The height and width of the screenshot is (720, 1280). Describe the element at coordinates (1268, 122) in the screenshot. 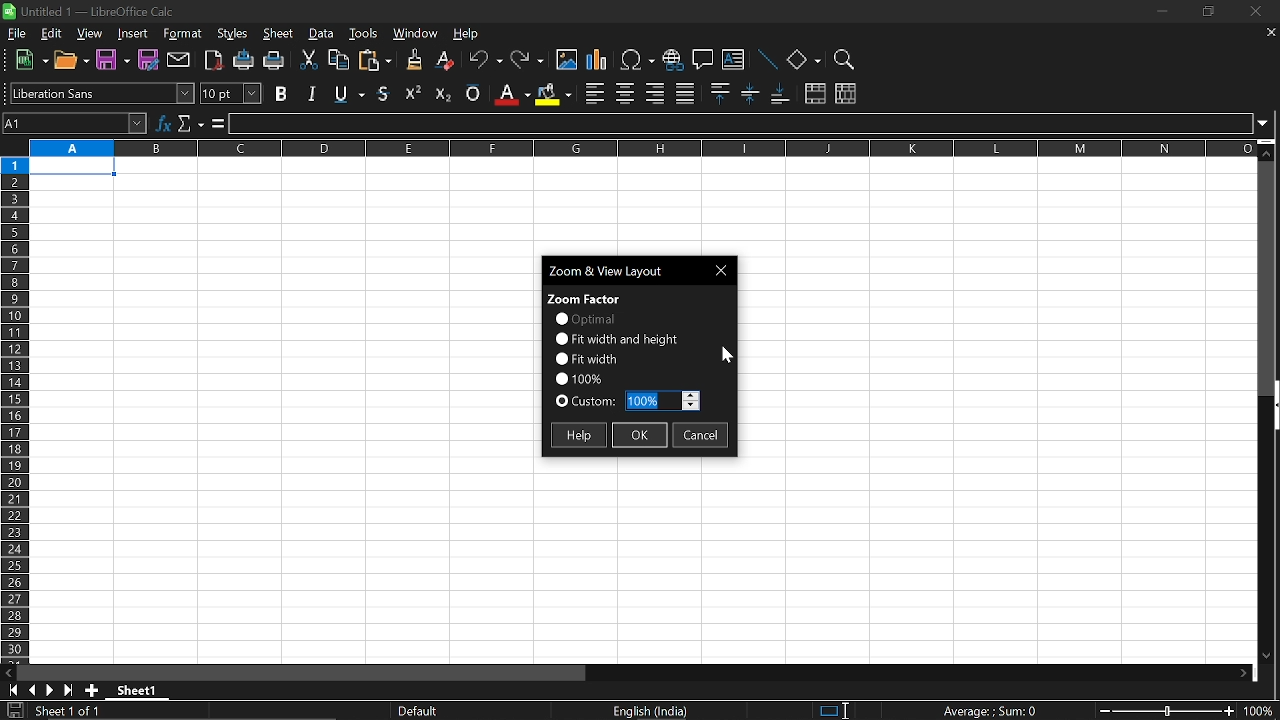

I see `expand formula bar` at that location.